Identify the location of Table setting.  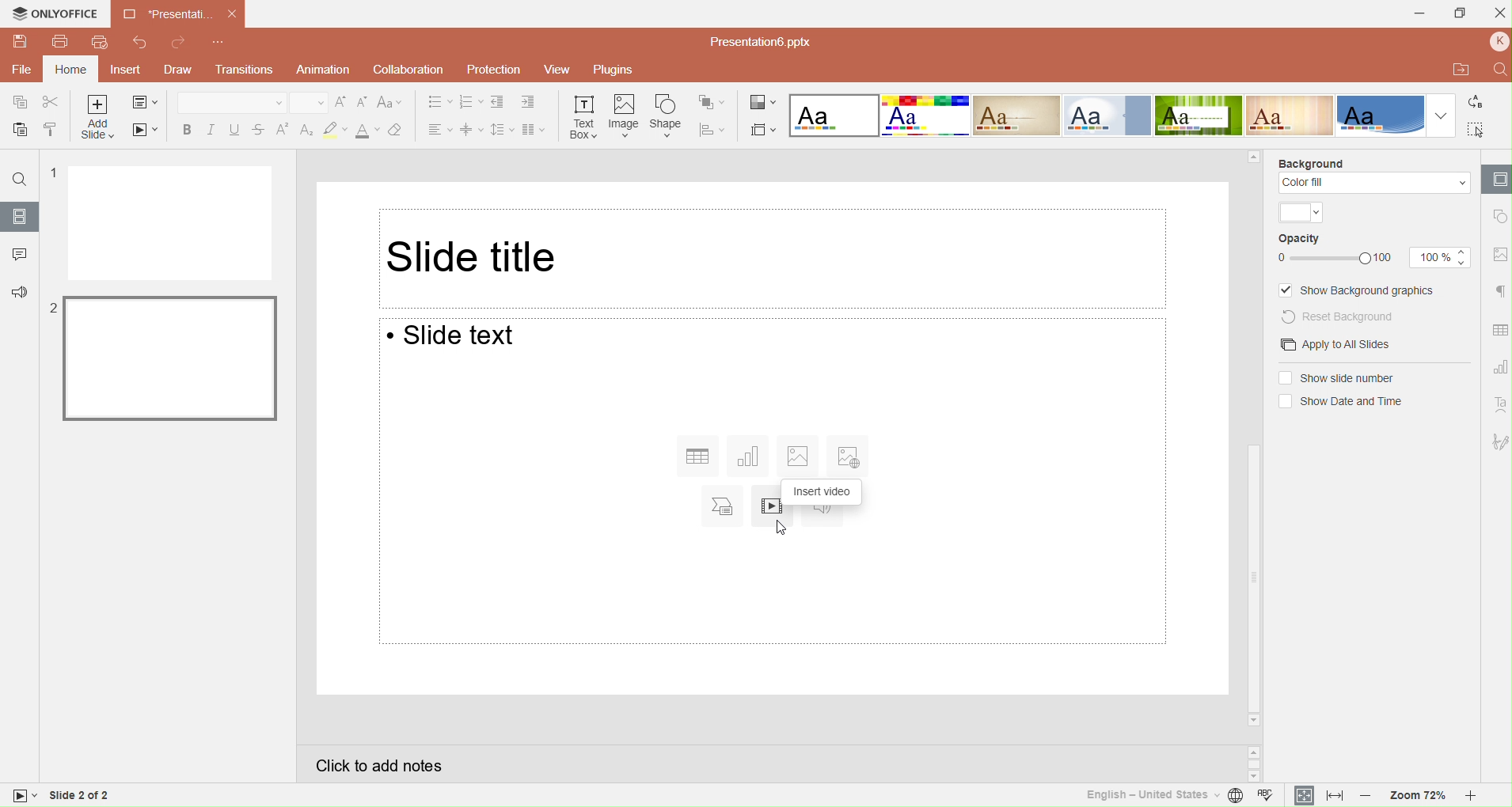
(1498, 328).